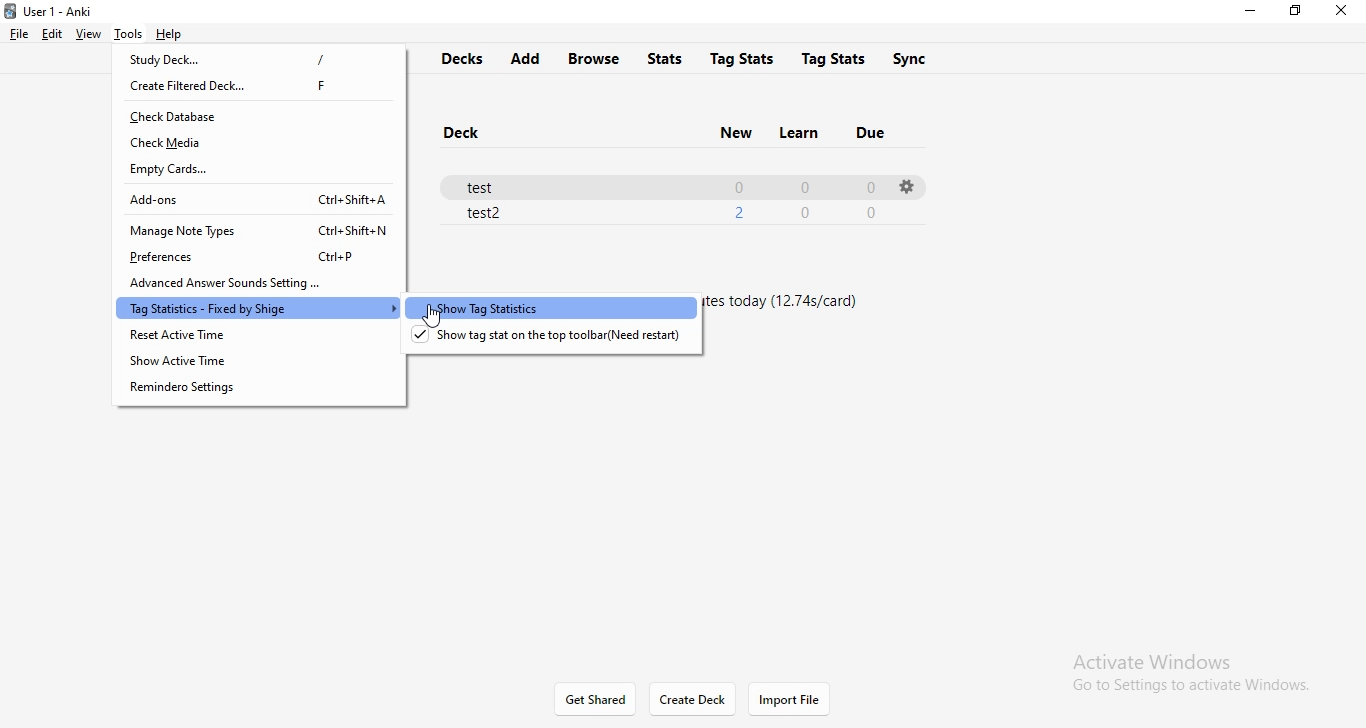  I want to click on highlighted, so click(549, 310).